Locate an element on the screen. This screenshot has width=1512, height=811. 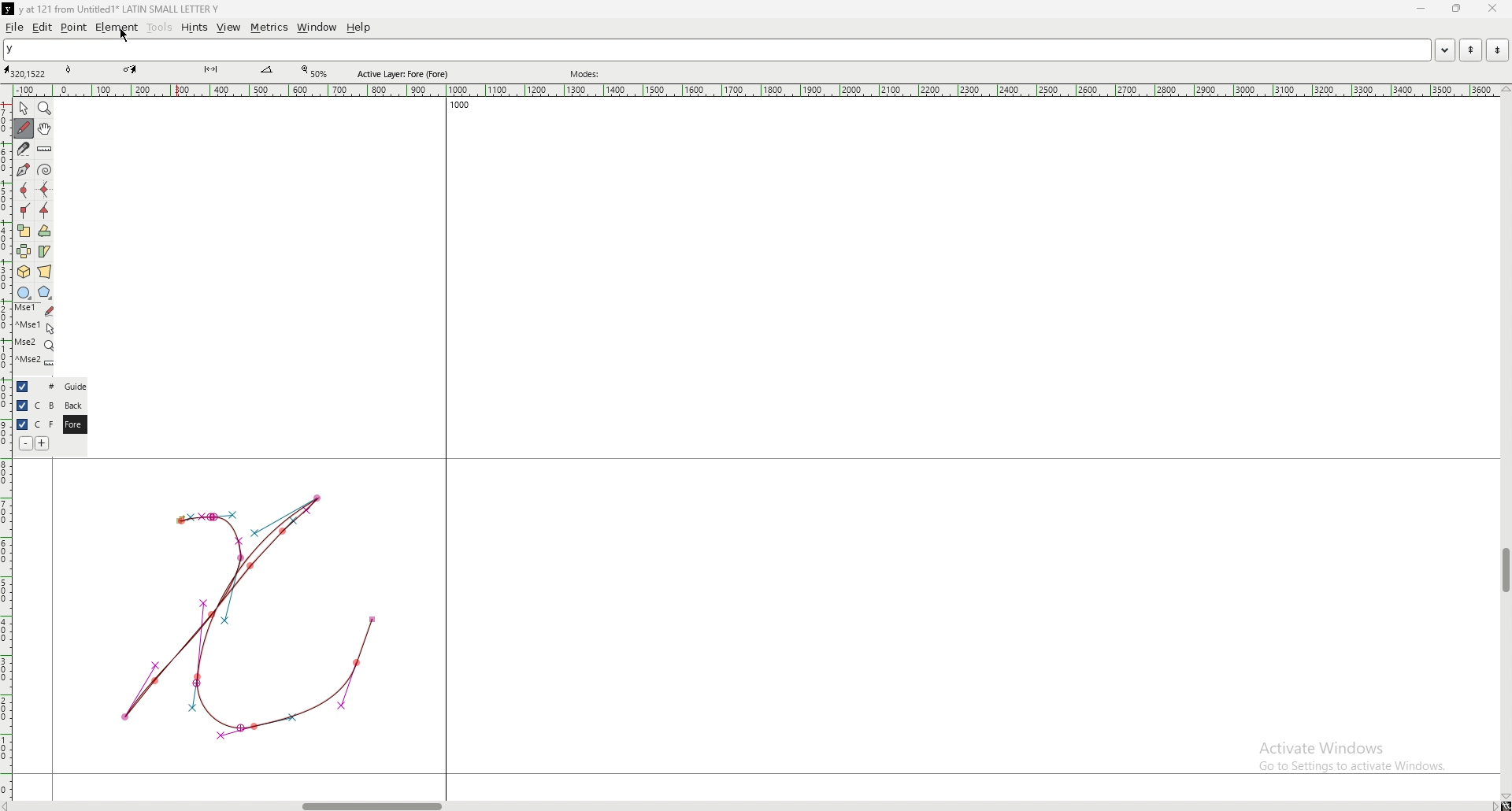
pen tool is located at coordinates (130, 69).